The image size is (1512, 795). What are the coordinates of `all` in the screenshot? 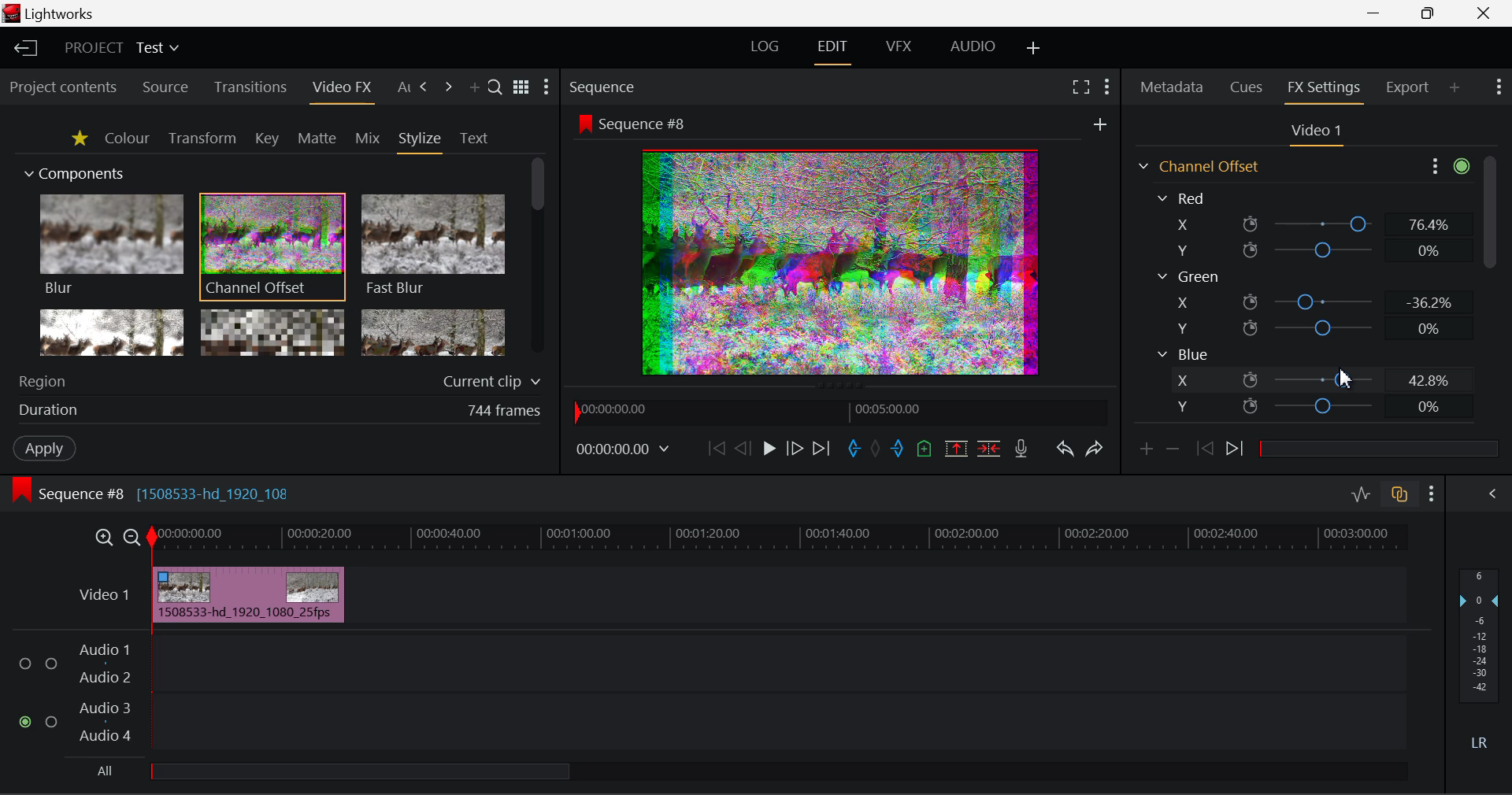 It's located at (324, 774).